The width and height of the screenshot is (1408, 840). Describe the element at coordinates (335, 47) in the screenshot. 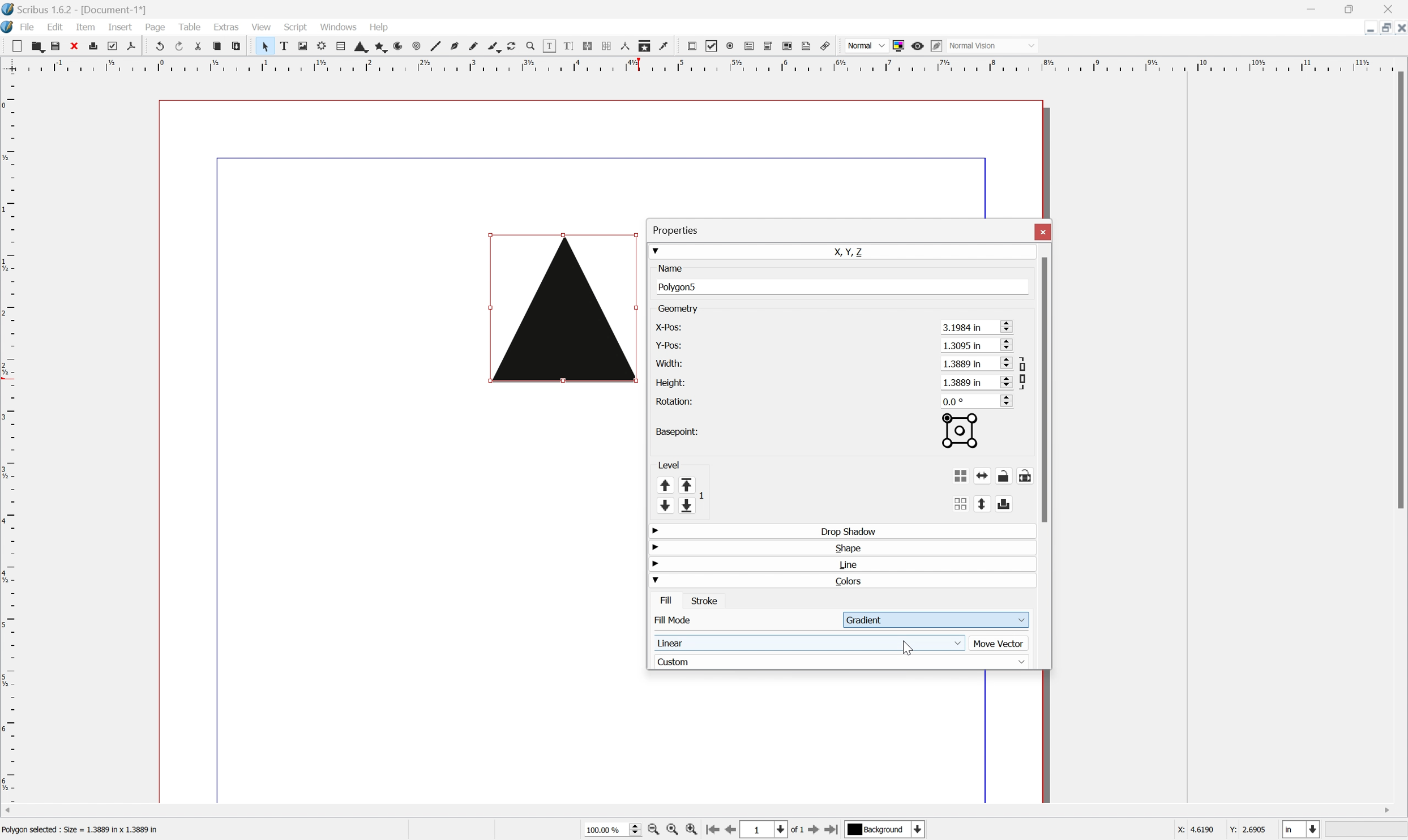

I see `Table` at that location.